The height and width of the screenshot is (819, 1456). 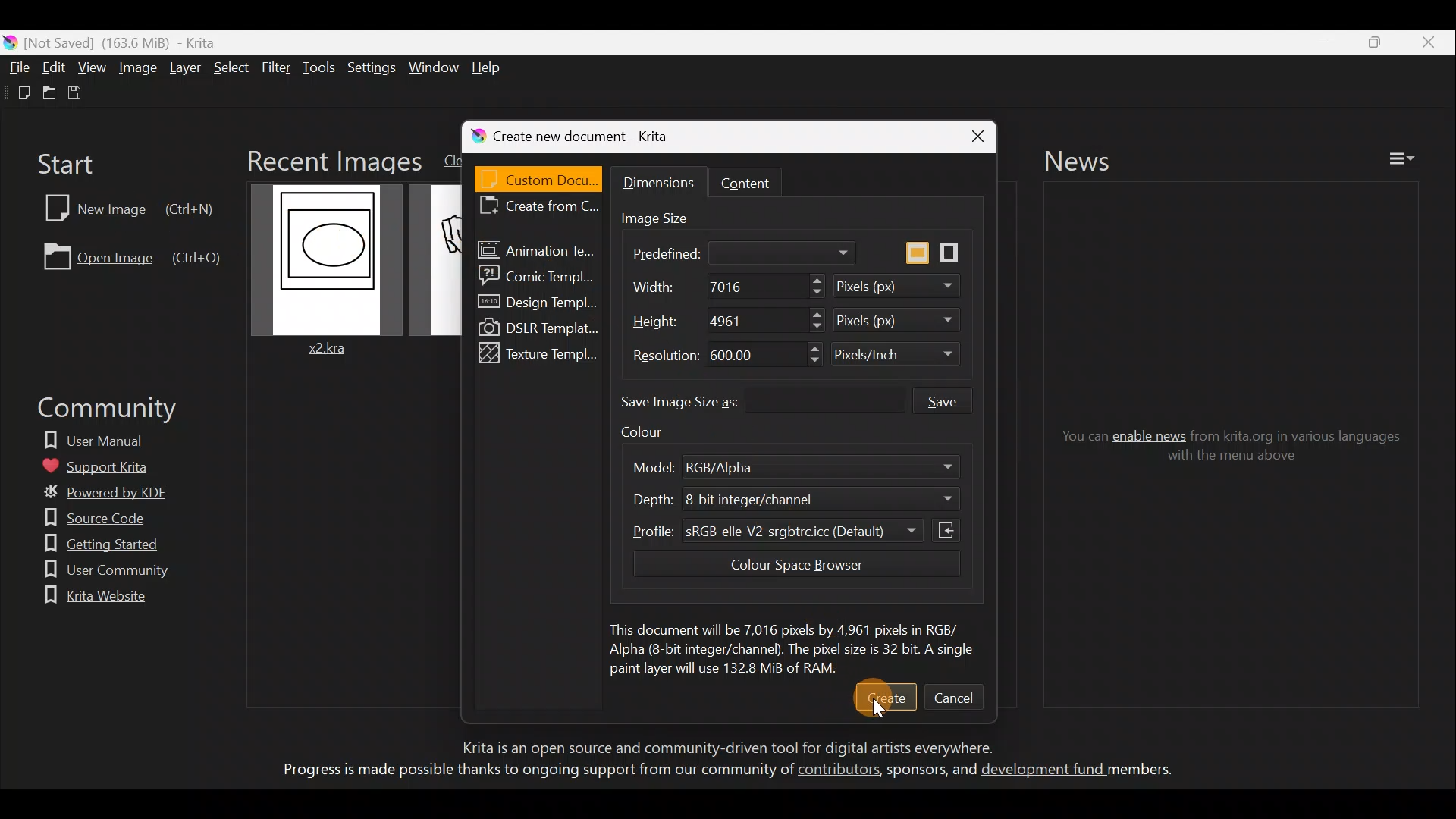 What do you see at coordinates (792, 645) in the screenshot?
I see `This document will be 7.016 pixels by 4,961 pixels in RGB/Alpha (8-bit integer/channel). The pixel size is 32 bit. A single paint layer will use 132.8MiB of RAM.` at bounding box center [792, 645].